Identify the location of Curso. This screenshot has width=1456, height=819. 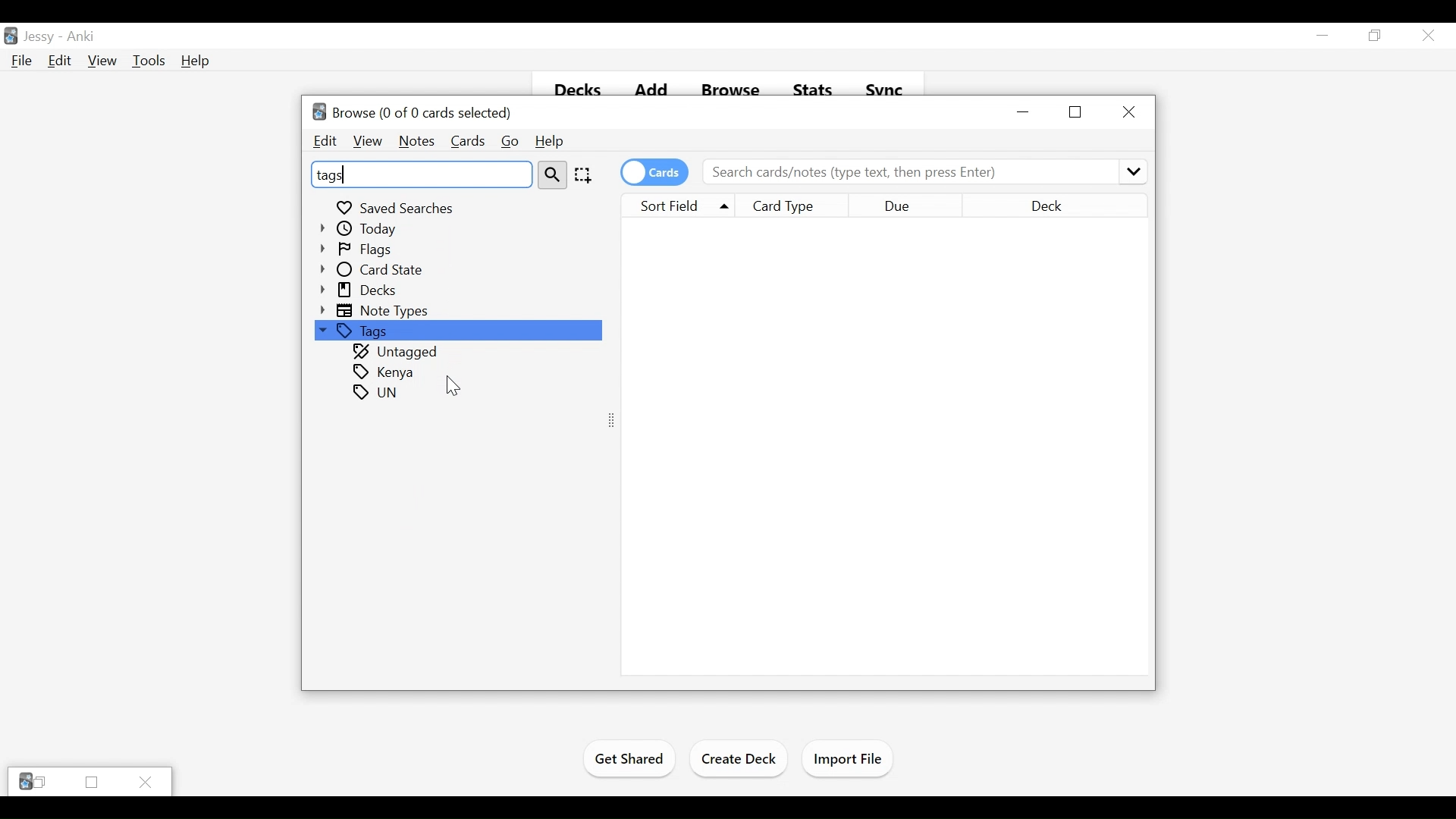
(453, 387).